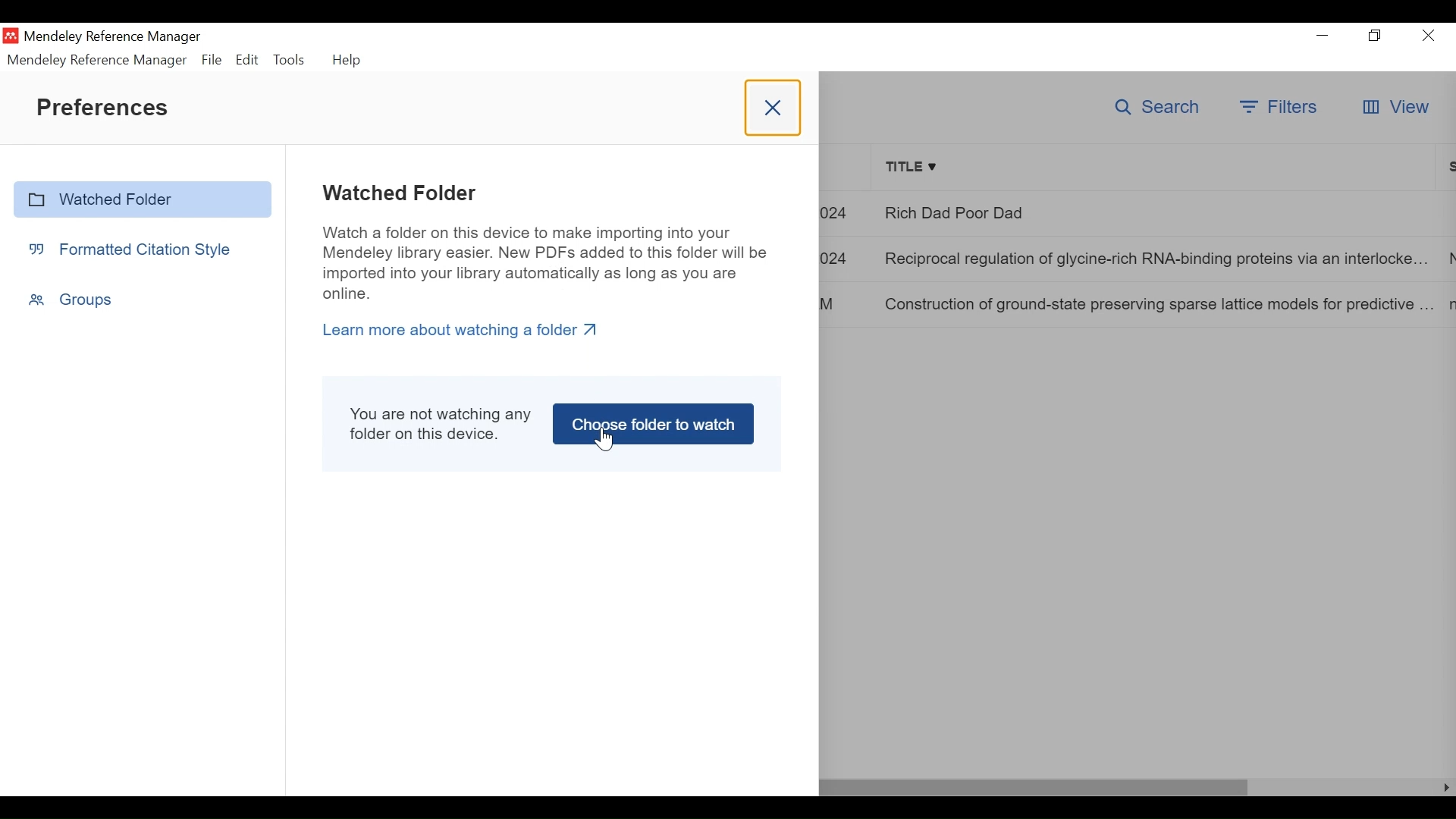  What do you see at coordinates (1444, 788) in the screenshot?
I see `Scroll Right` at bounding box center [1444, 788].